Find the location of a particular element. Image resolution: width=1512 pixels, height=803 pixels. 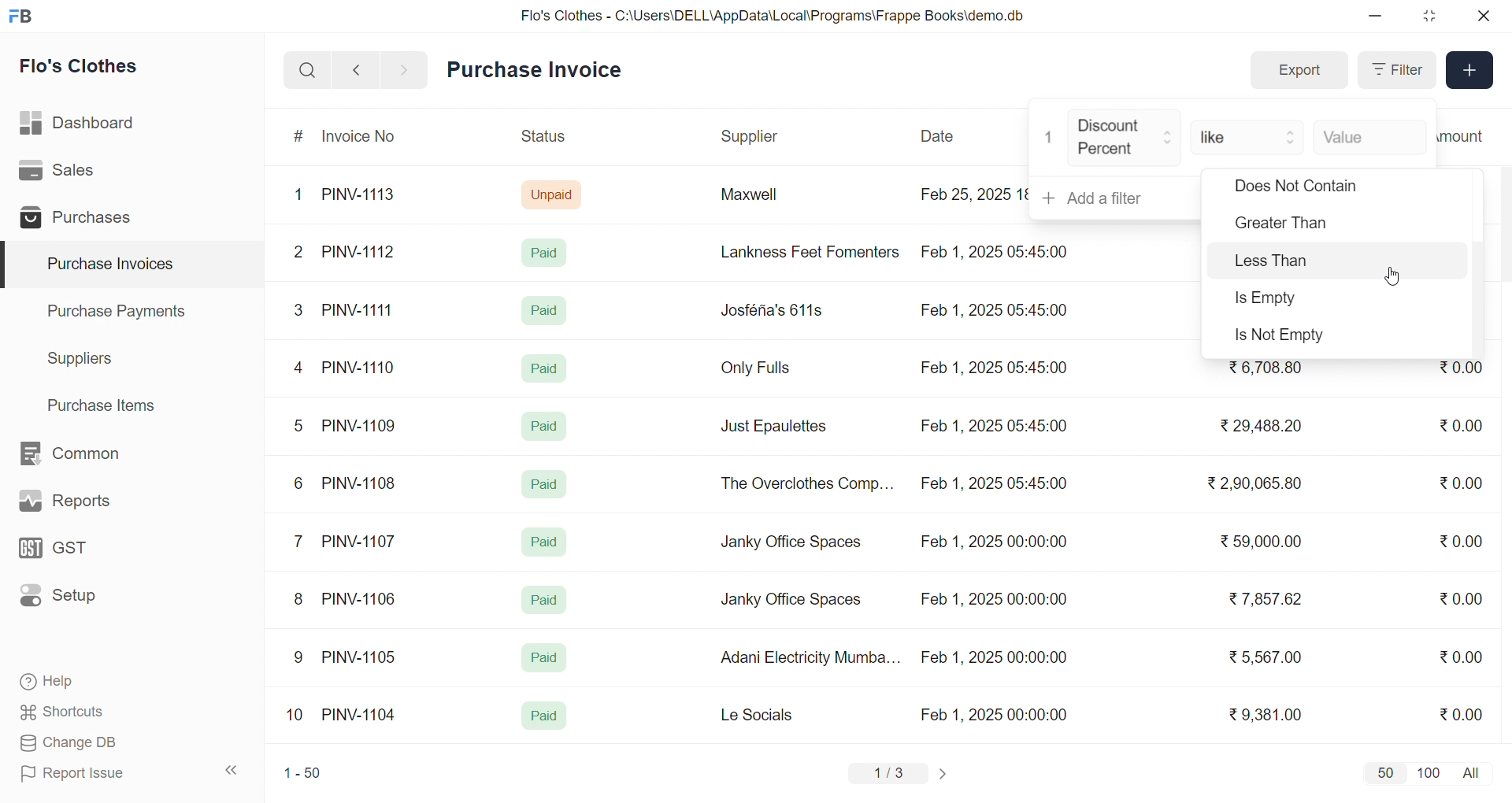

Filter is located at coordinates (1395, 70).